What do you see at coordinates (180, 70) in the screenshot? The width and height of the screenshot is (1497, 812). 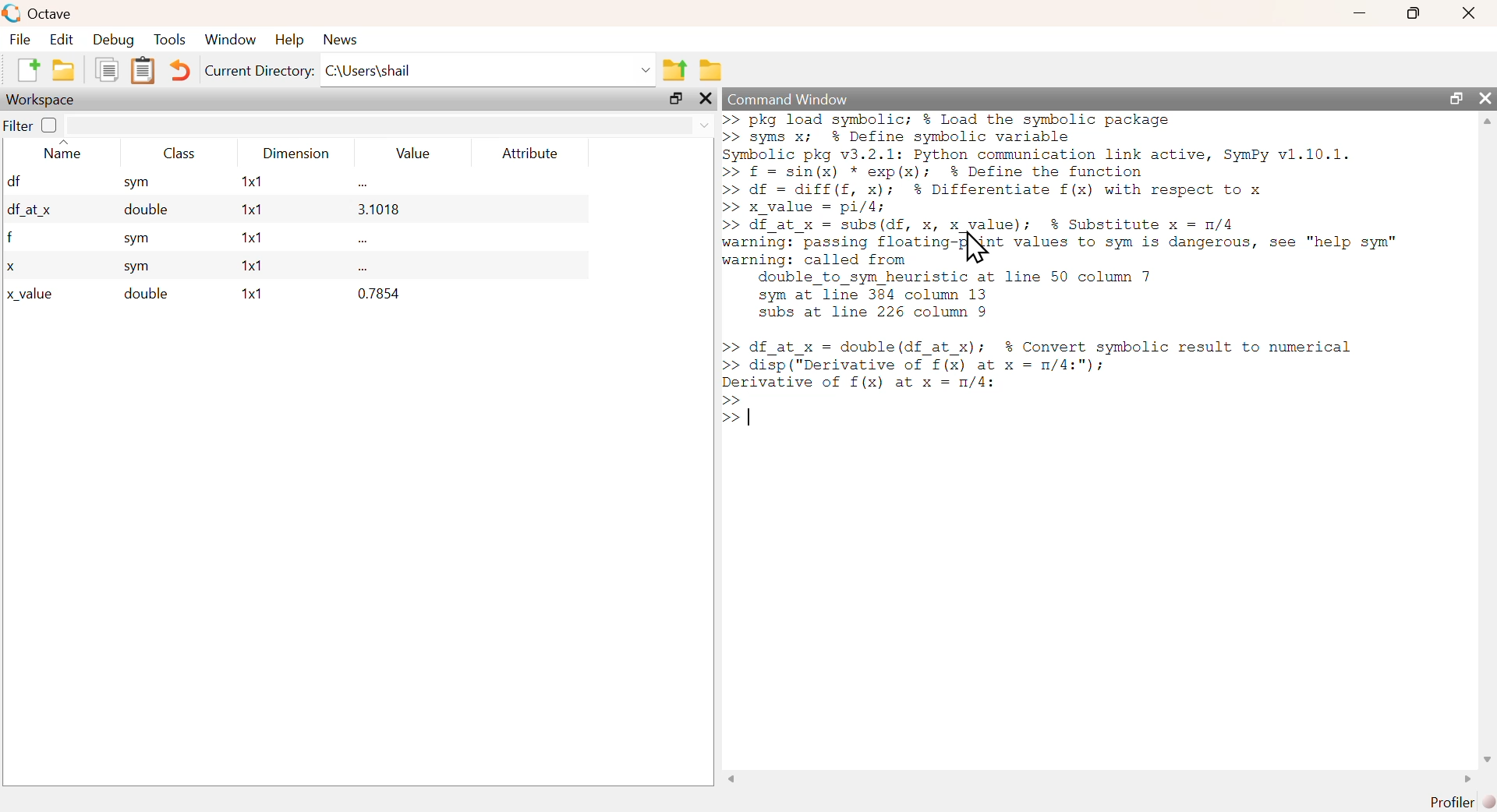 I see `Undo` at bounding box center [180, 70].